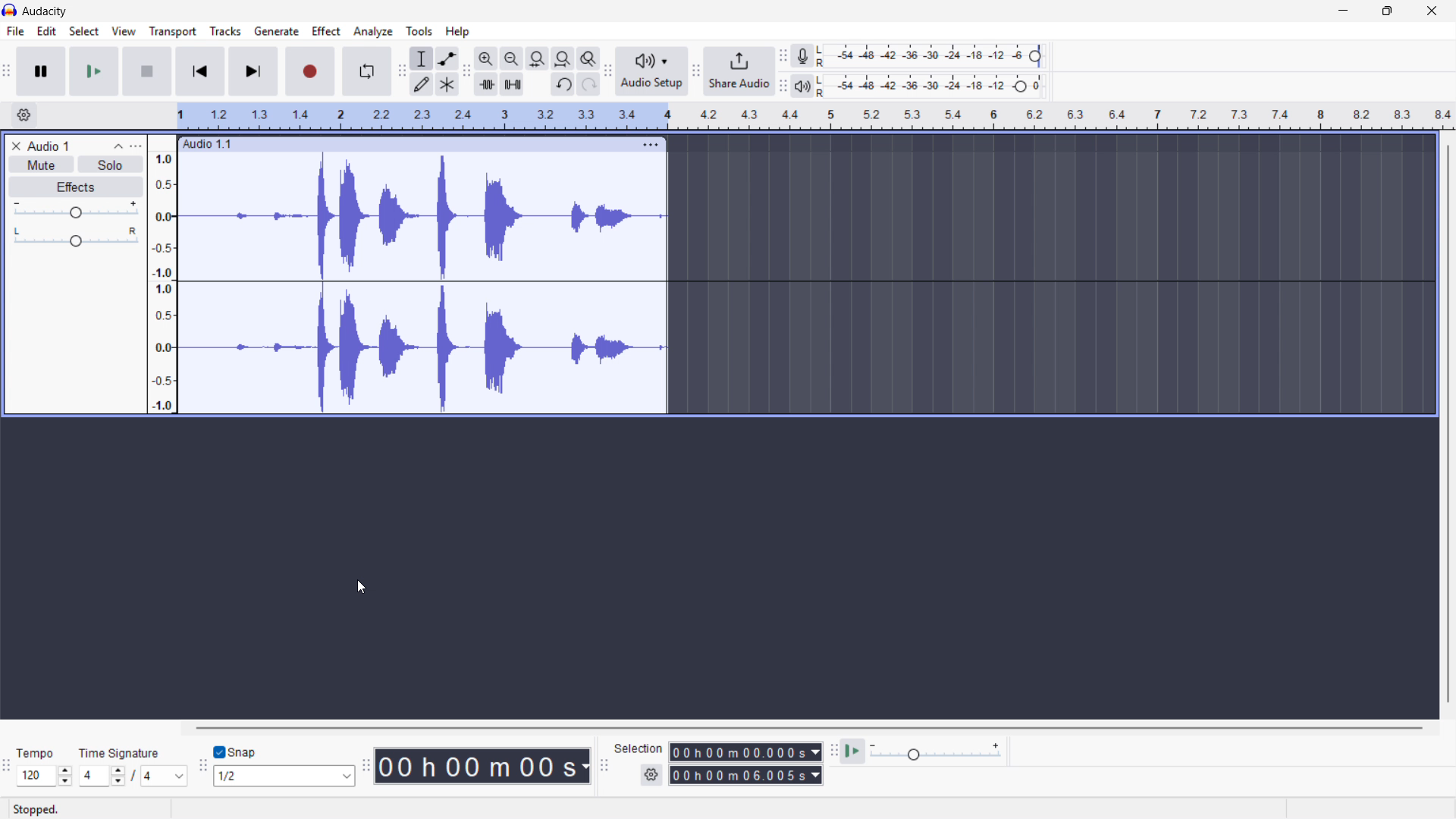 The image size is (1456, 819). Describe the element at coordinates (93, 71) in the screenshot. I see `Play ` at that location.